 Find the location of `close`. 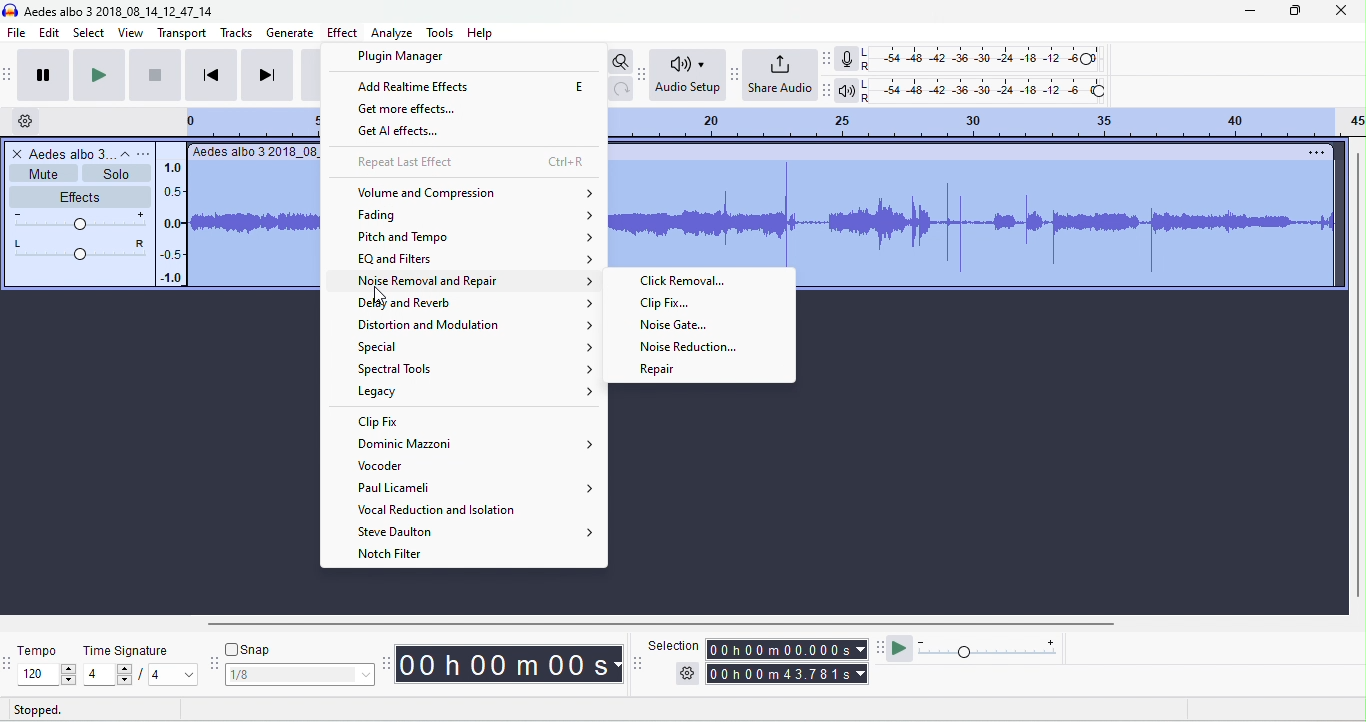

close is located at coordinates (16, 155).